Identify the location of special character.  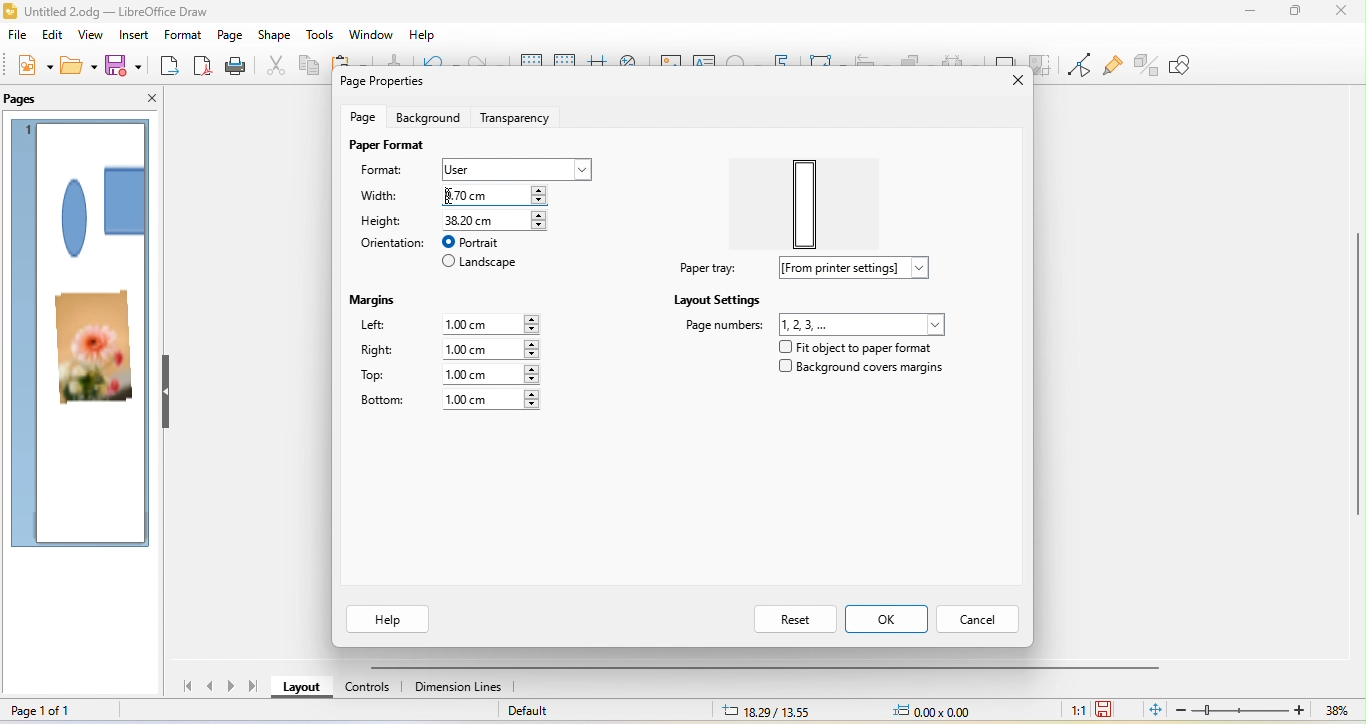
(745, 61).